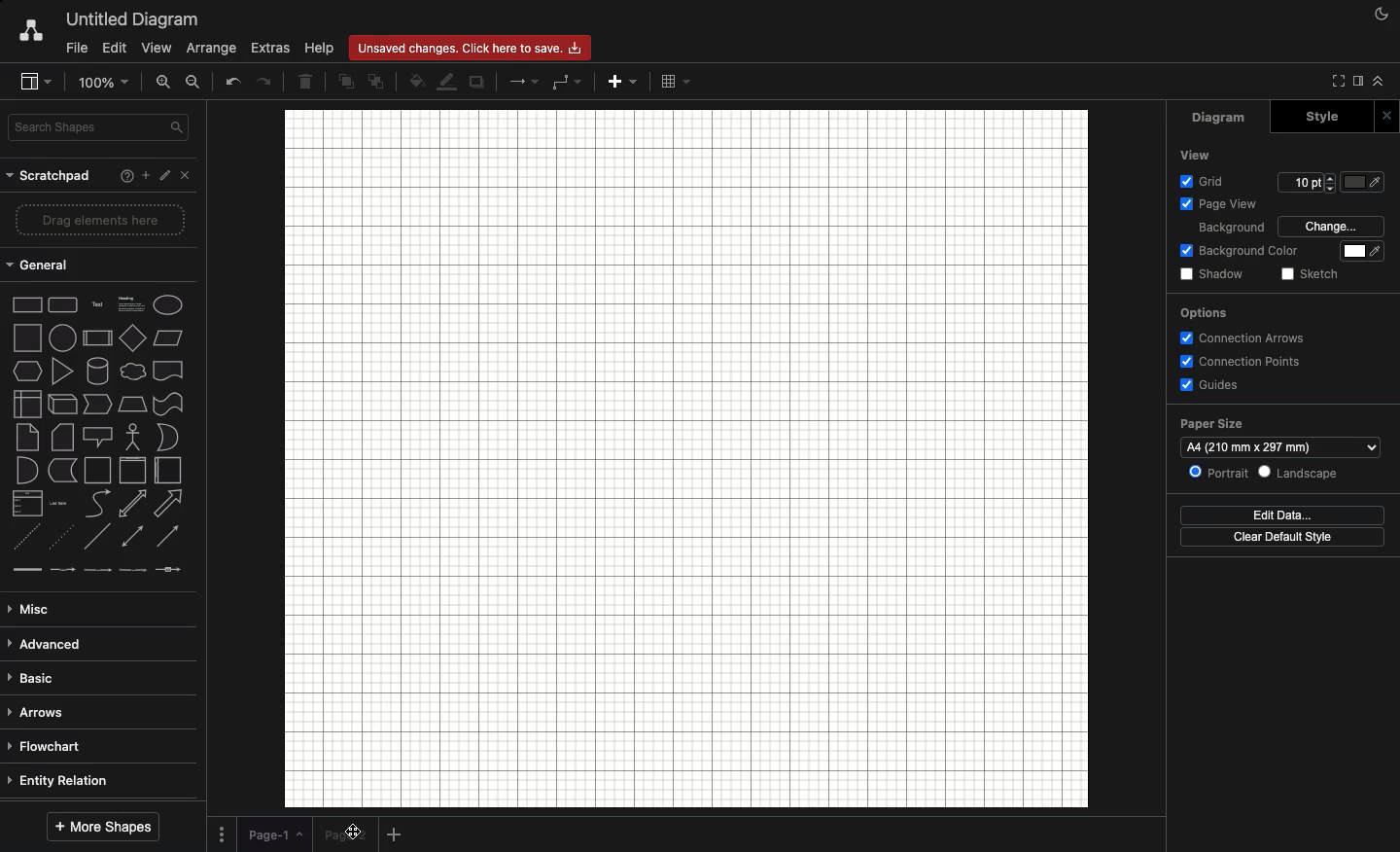 The width and height of the screenshot is (1400, 852). Describe the element at coordinates (348, 81) in the screenshot. I see `To front` at that location.